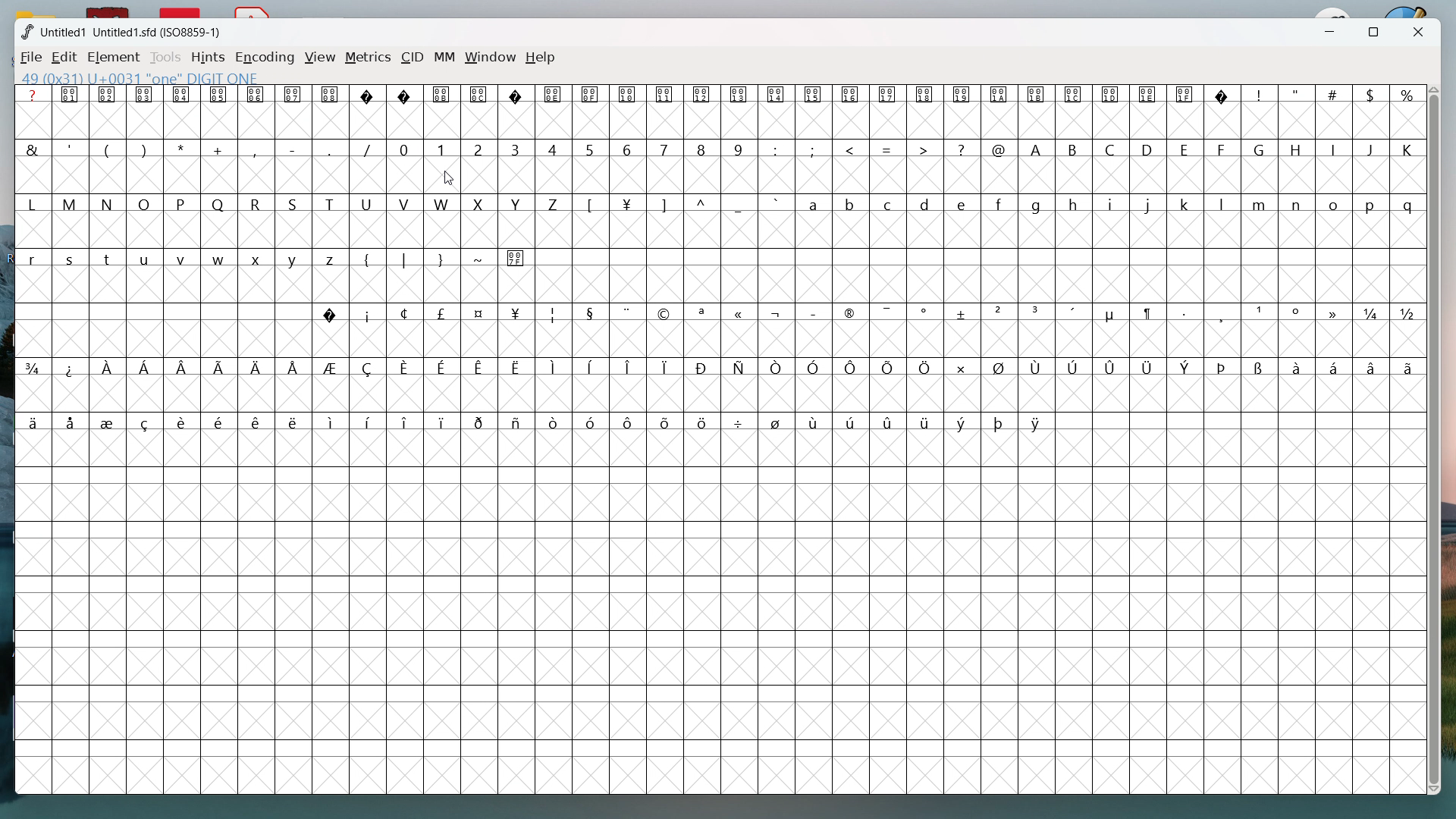 Image resolution: width=1456 pixels, height=819 pixels. I want to click on >, so click(923, 147).